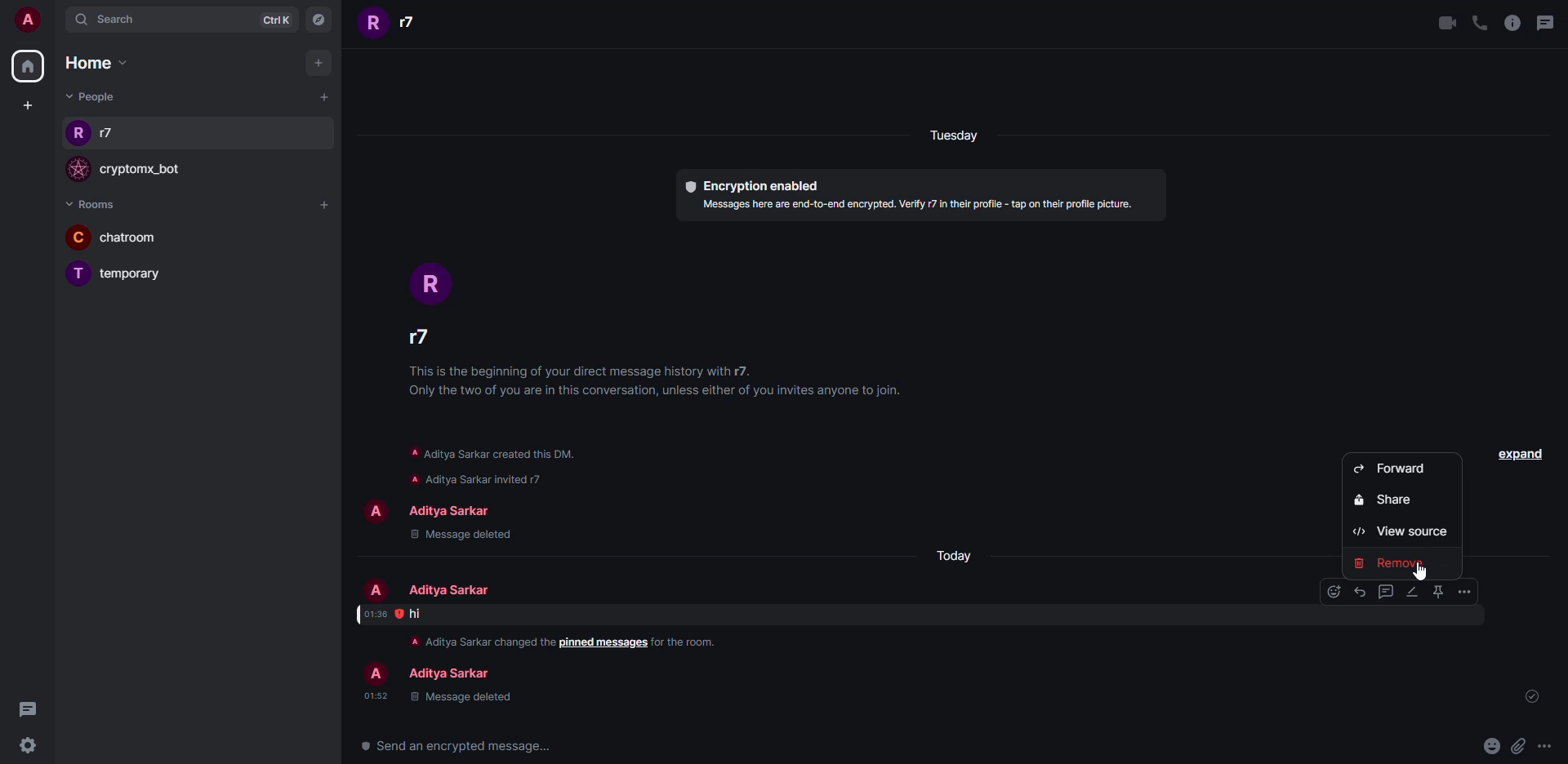 The height and width of the screenshot is (764, 1568). Describe the element at coordinates (1442, 22) in the screenshot. I see `video call` at that location.